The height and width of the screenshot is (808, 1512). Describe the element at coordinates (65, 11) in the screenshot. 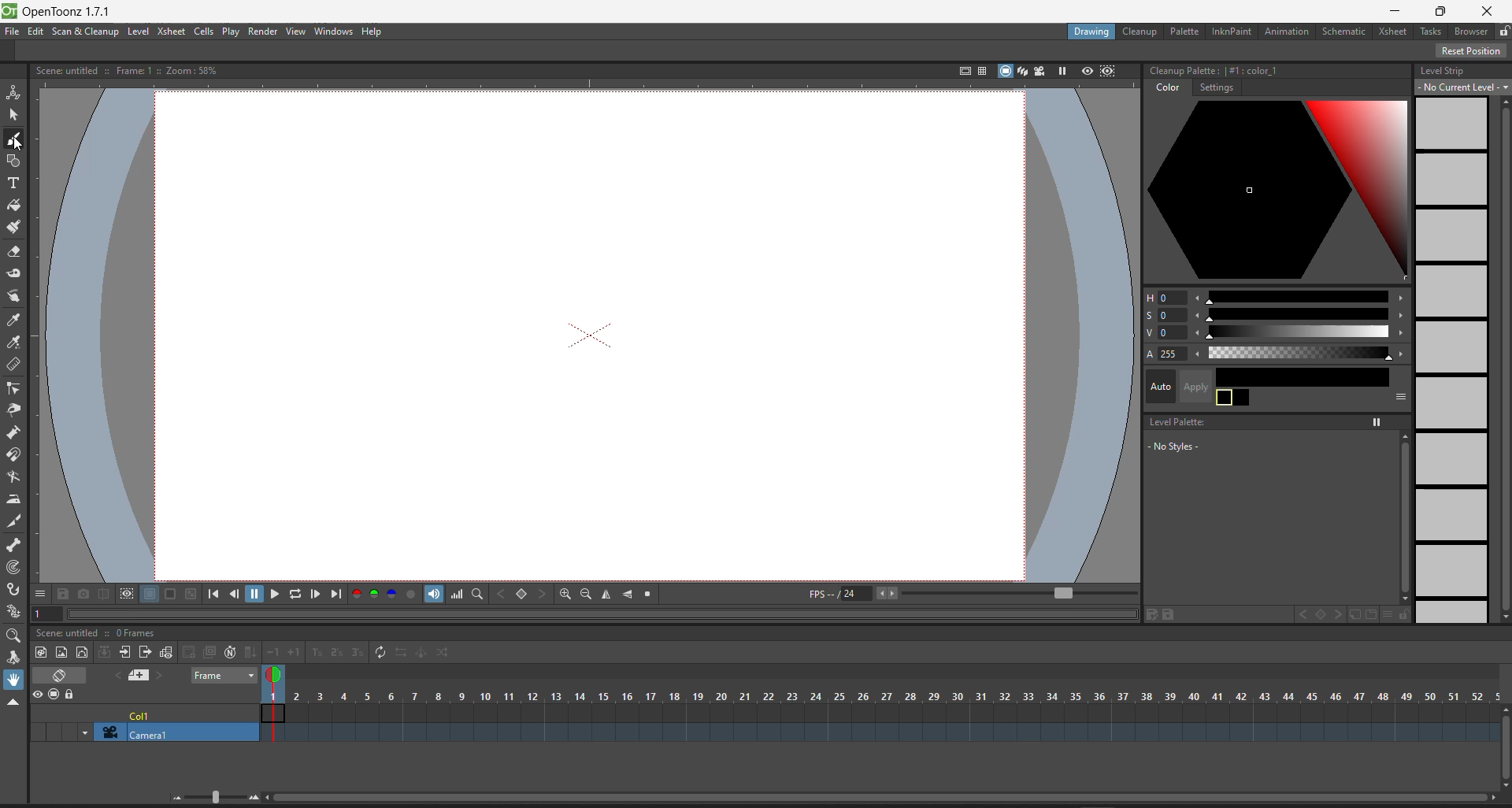

I see `app title and logo` at that location.